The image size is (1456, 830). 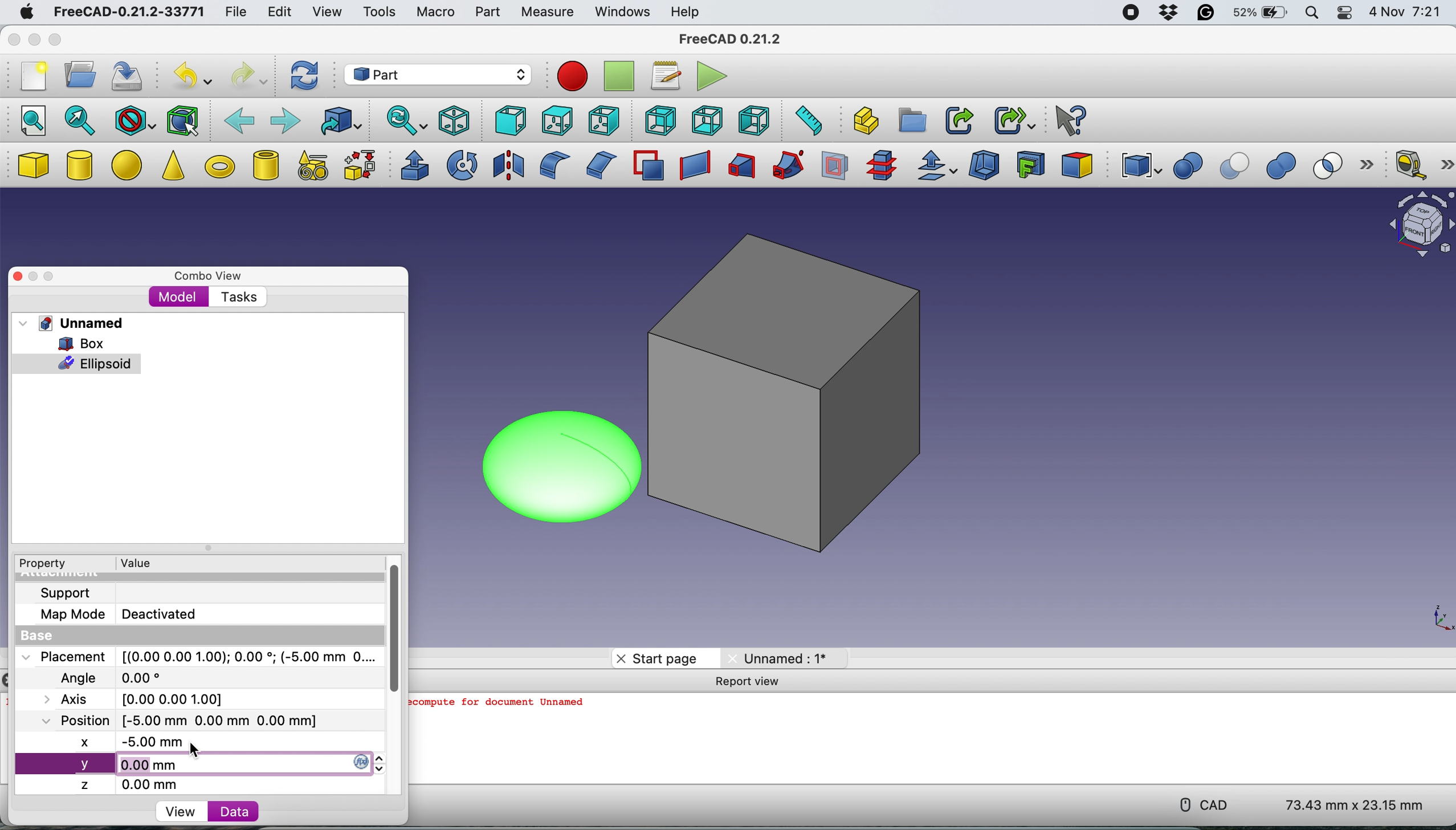 What do you see at coordinates (1188, 166) in the screenshot?
I see `boolean` at bounding box center [1188, 166].